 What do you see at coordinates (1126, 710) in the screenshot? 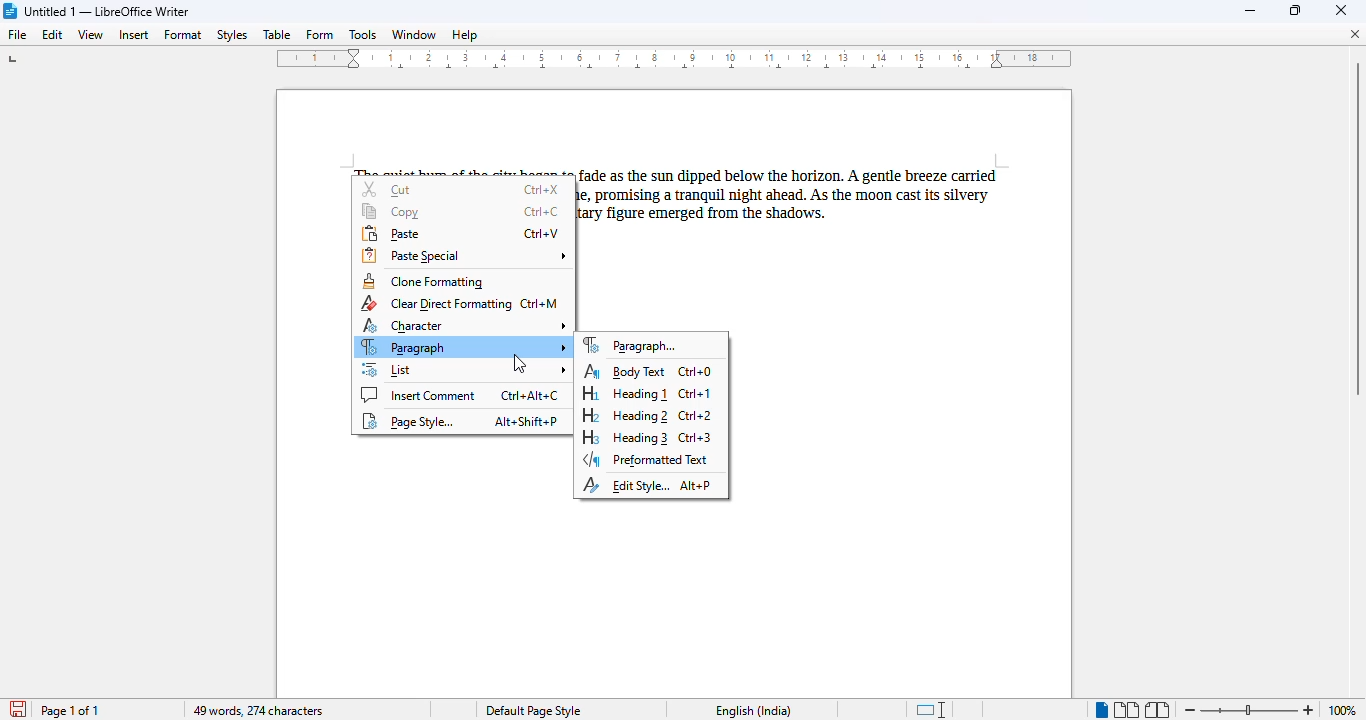
I see `multi-page view` at bounding box center [1126, 710].